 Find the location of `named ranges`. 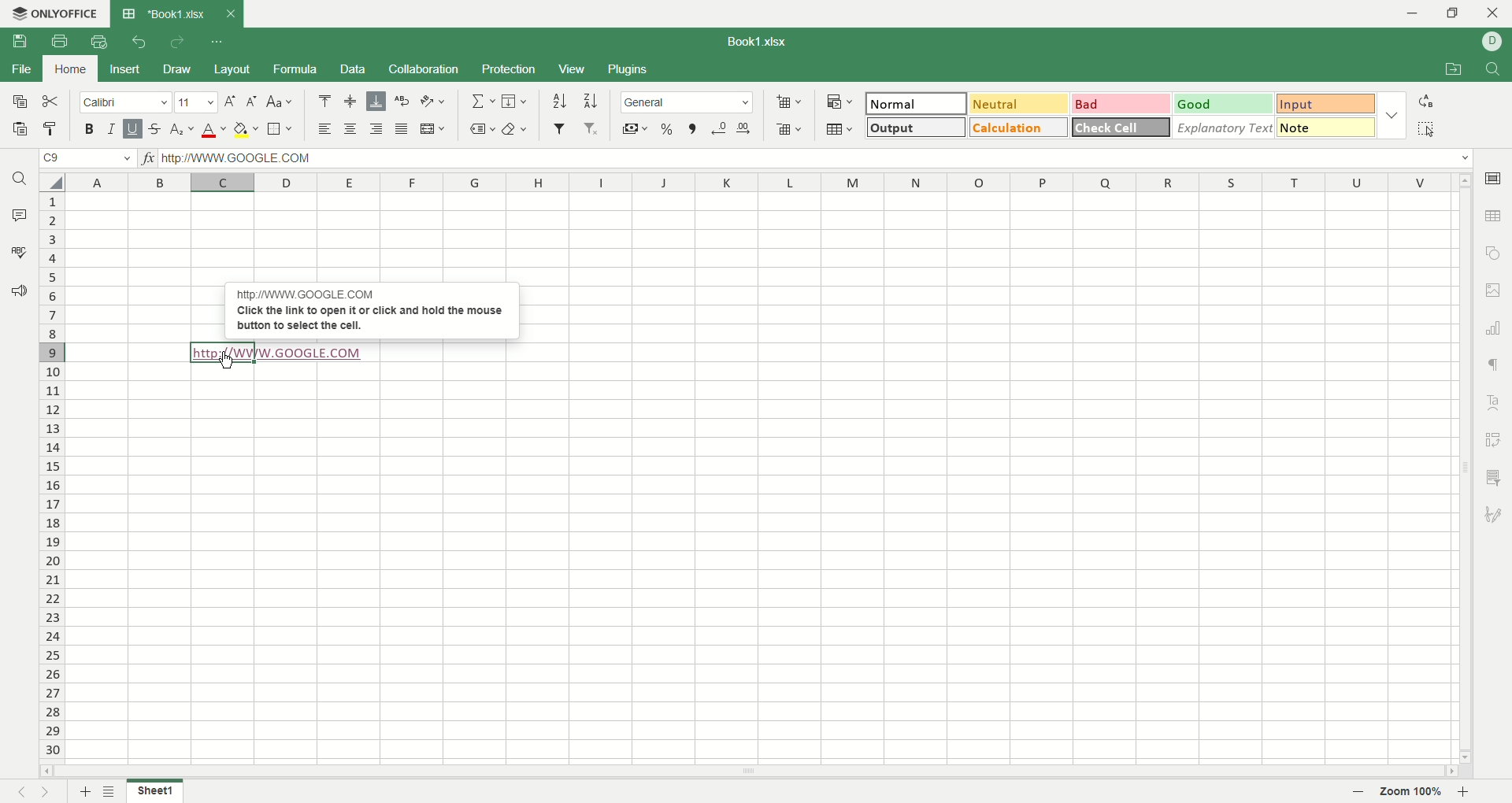

named ranges is located at coordinates (483, 131).